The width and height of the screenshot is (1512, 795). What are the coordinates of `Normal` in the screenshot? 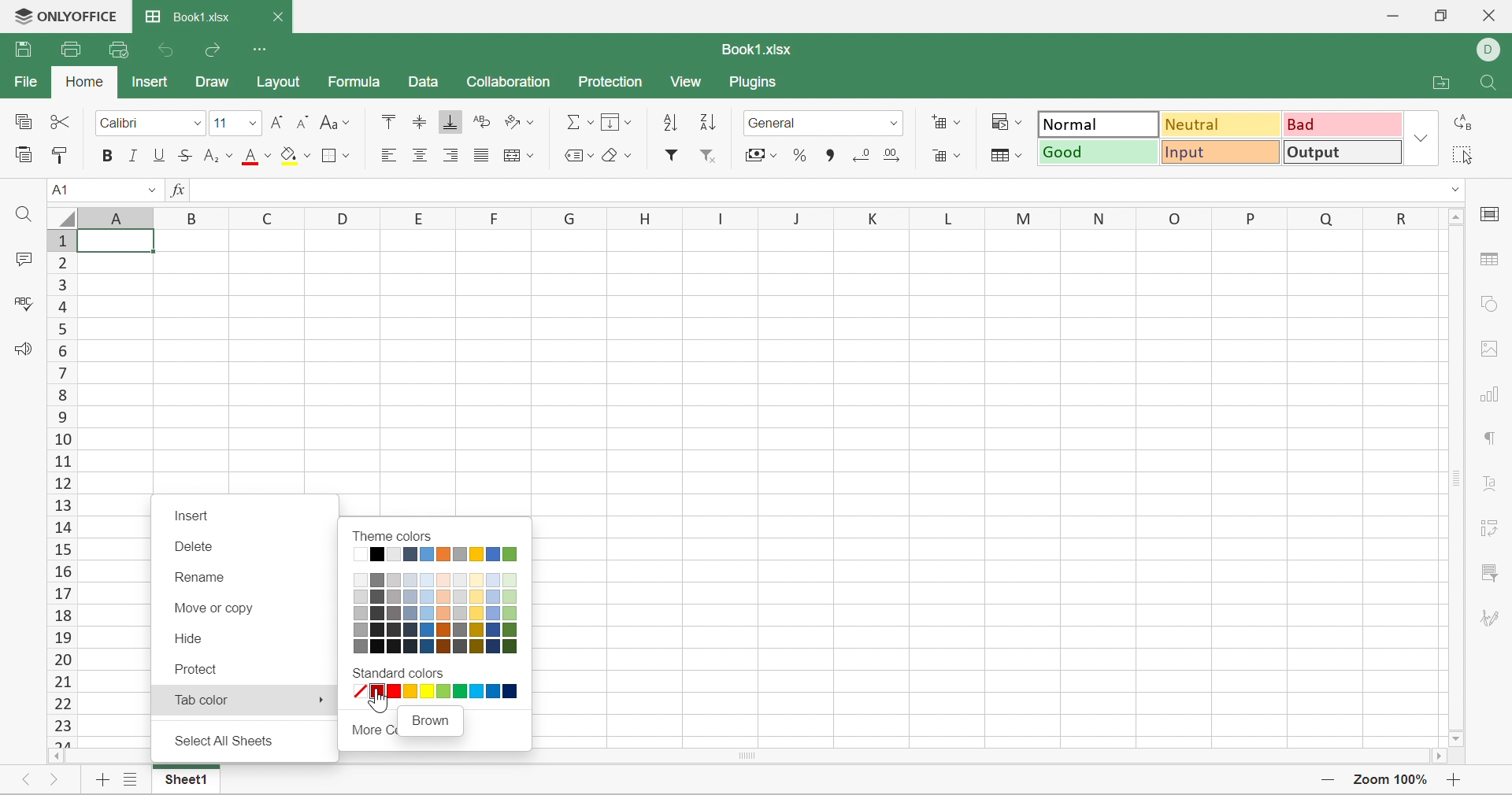 It's located at (1099, 124).